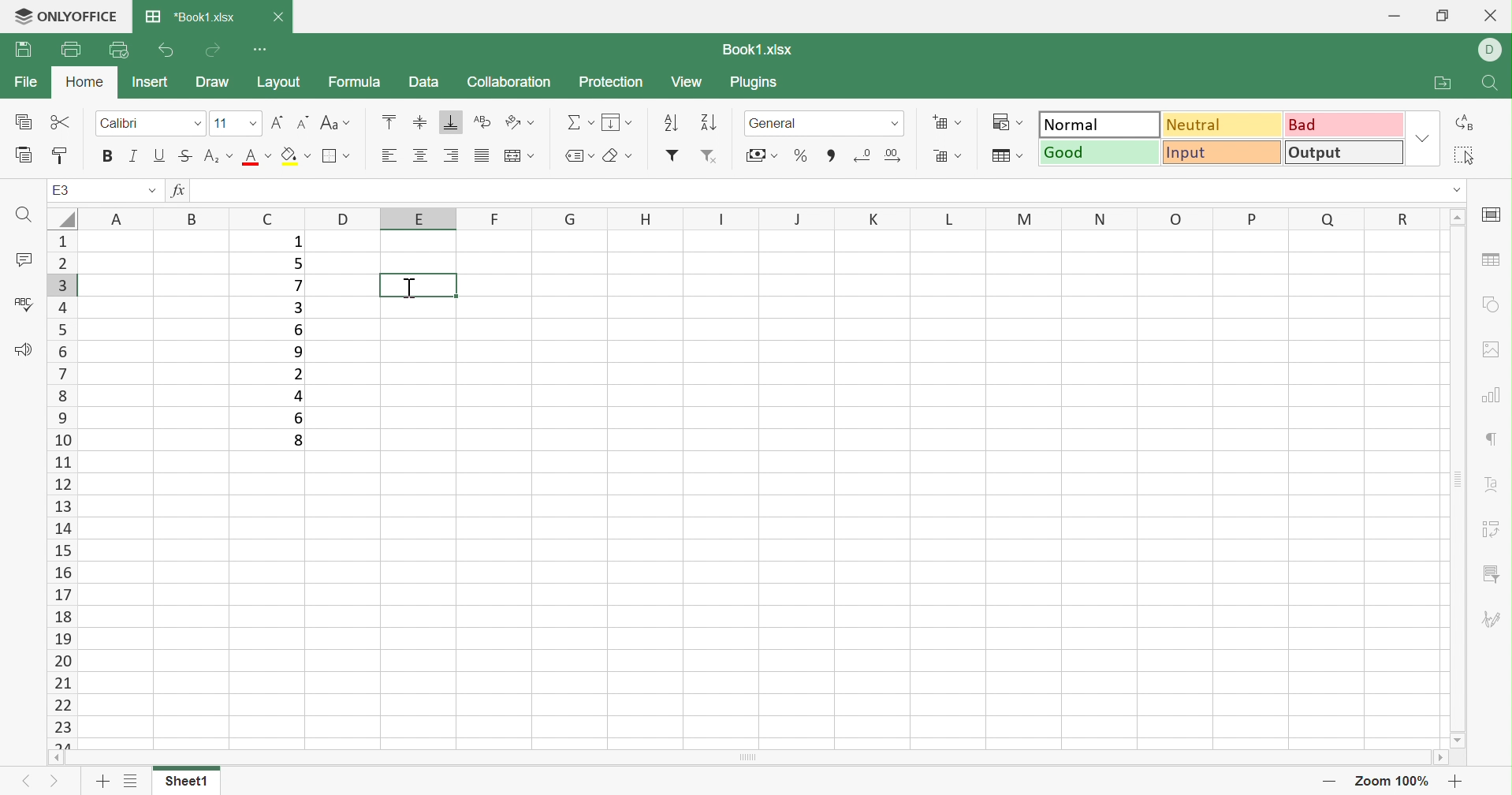  Describe the element at coordinates (1439, 757) in the screenshot. I see `Scroll Right` at that location.